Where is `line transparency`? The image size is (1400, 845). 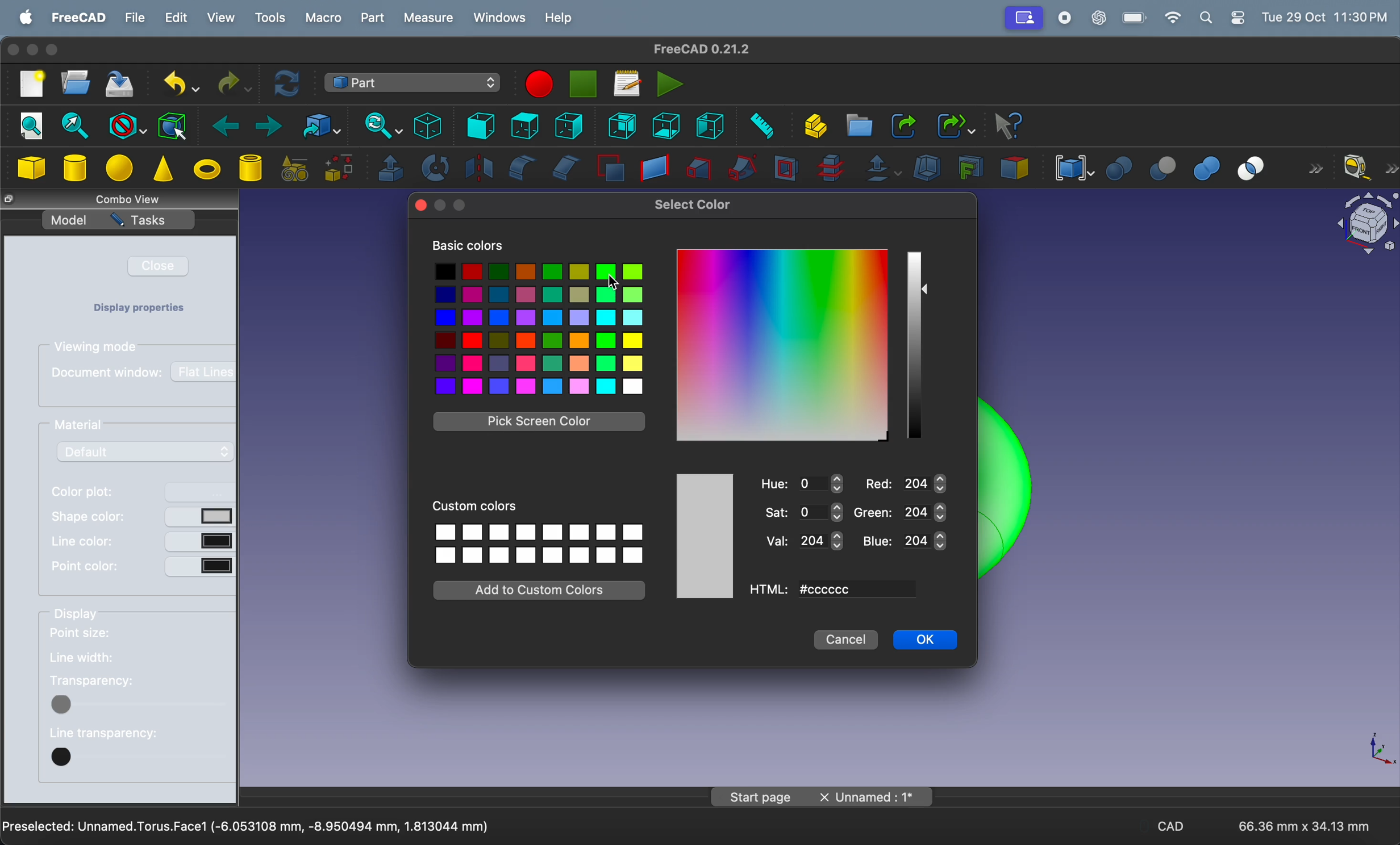
line transparency is located at coordinates (105, 734).